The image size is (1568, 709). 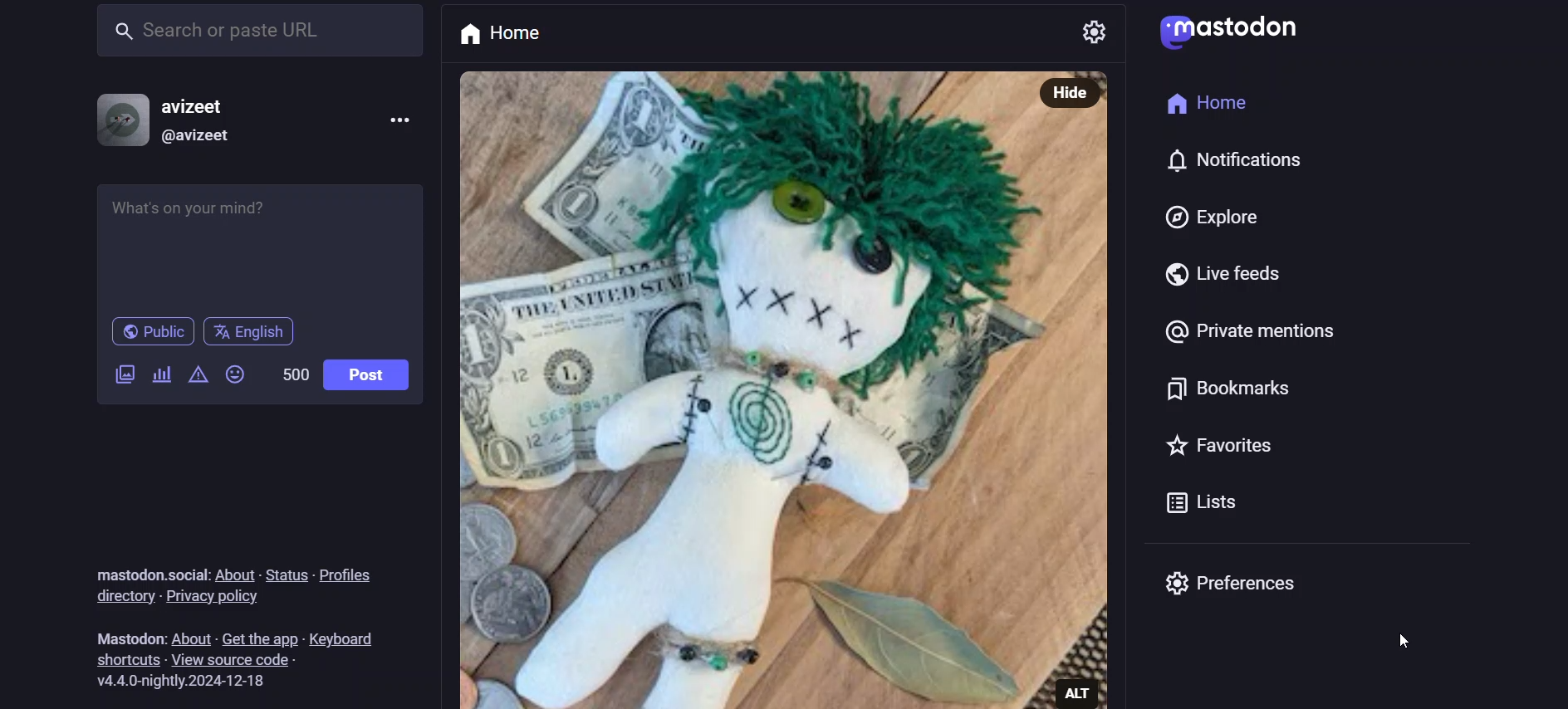 What do you see at coordinates (148, 575) in the screenshot?
I see `mastodon.social` at bounding box center [148, 575].